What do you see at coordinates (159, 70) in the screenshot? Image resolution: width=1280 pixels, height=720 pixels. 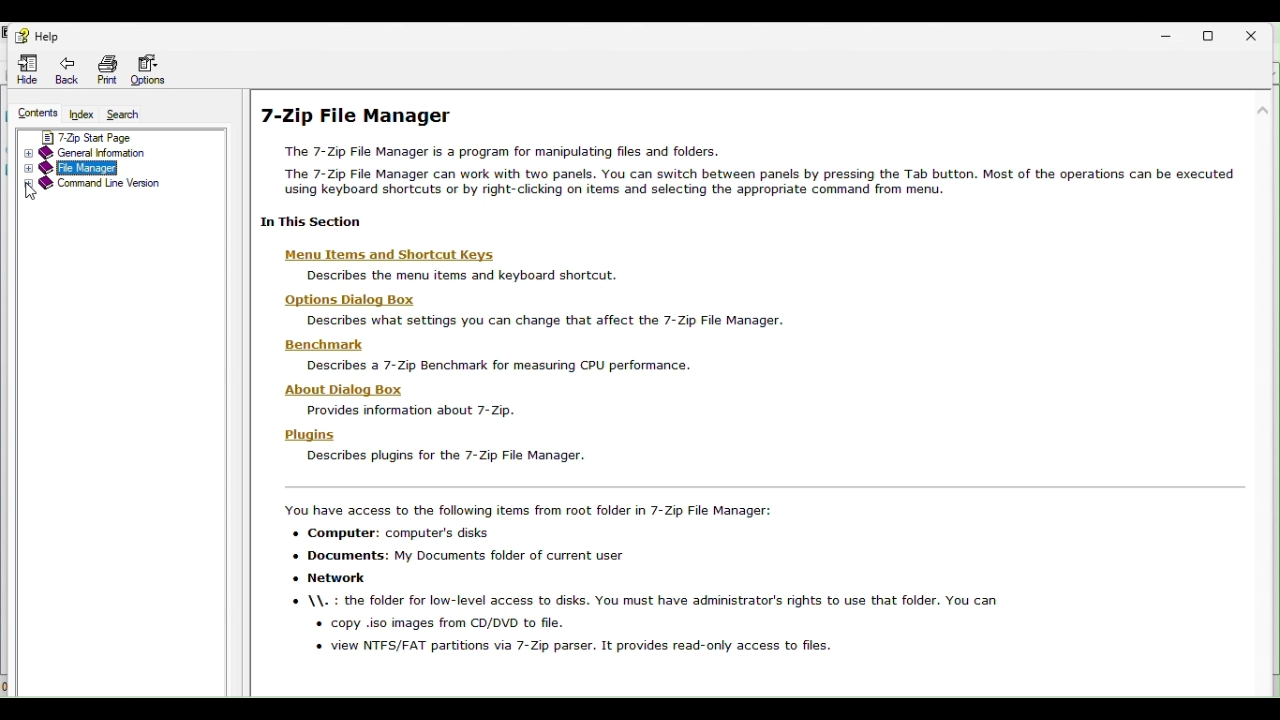 I see `Options` at bounding box center [159, 70].